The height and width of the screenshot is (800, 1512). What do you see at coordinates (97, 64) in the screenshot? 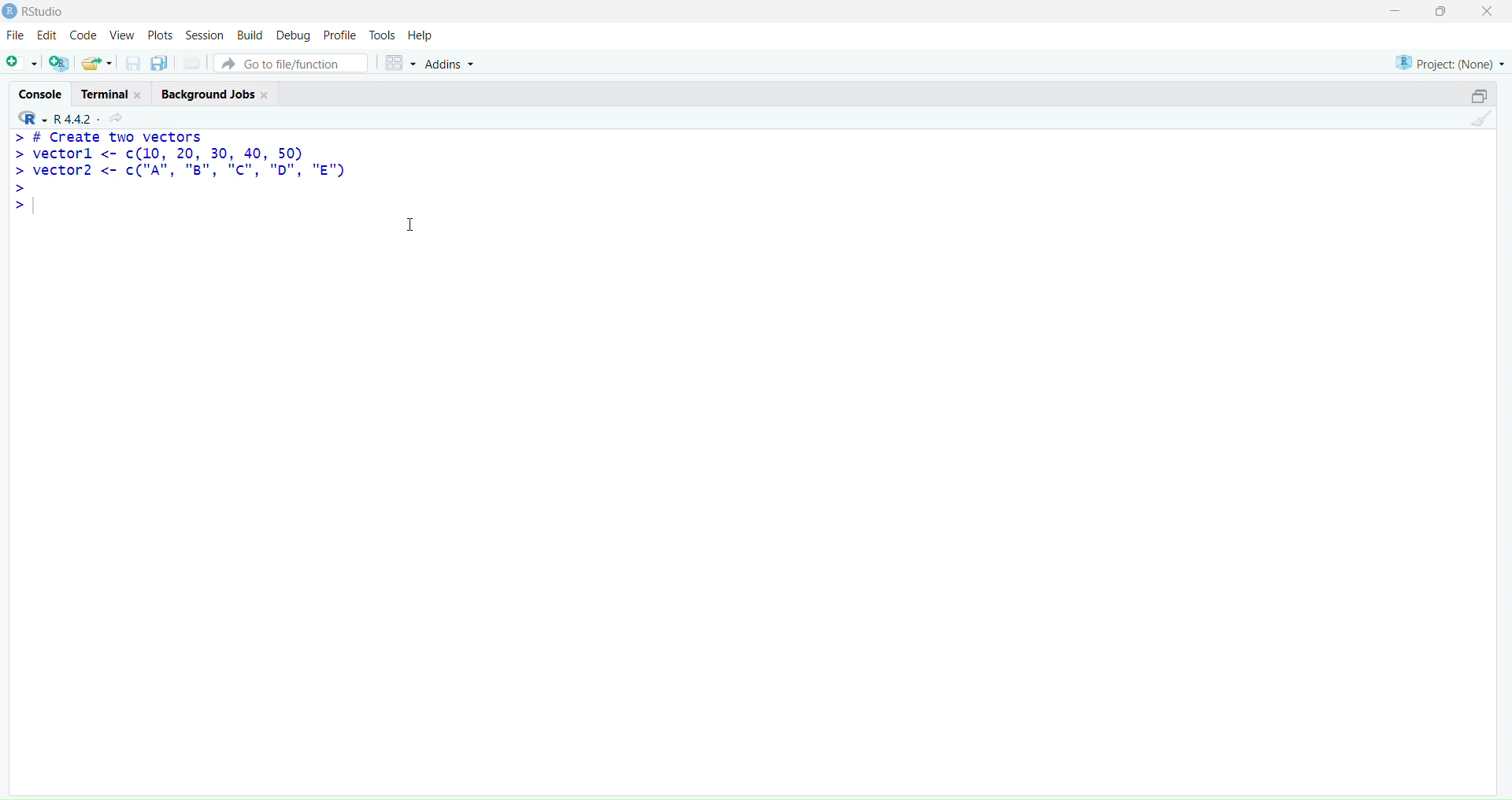
I see `open existing document` at bounding box center [97, 64].